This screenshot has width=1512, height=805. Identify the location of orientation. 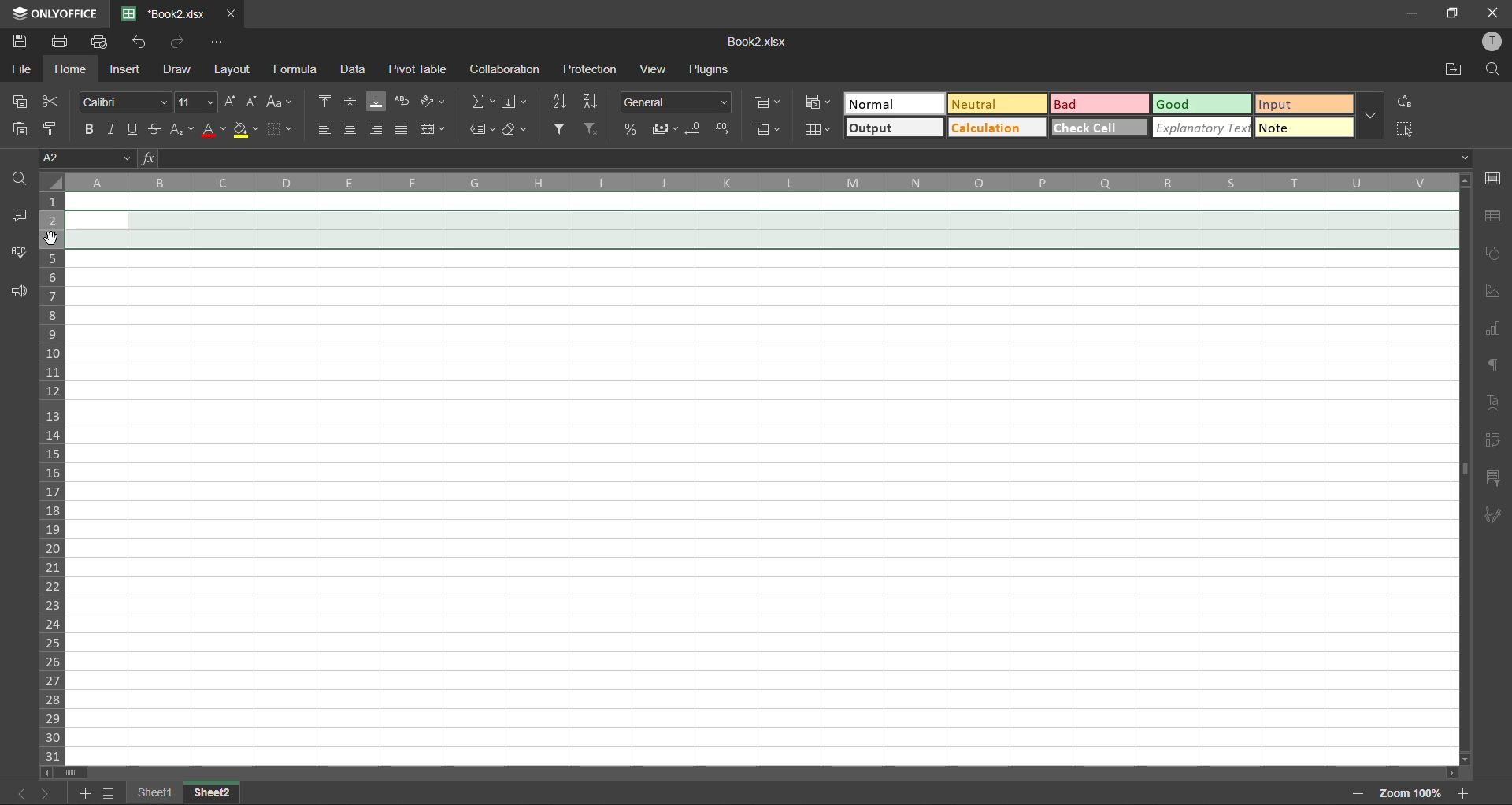
(435, 101).